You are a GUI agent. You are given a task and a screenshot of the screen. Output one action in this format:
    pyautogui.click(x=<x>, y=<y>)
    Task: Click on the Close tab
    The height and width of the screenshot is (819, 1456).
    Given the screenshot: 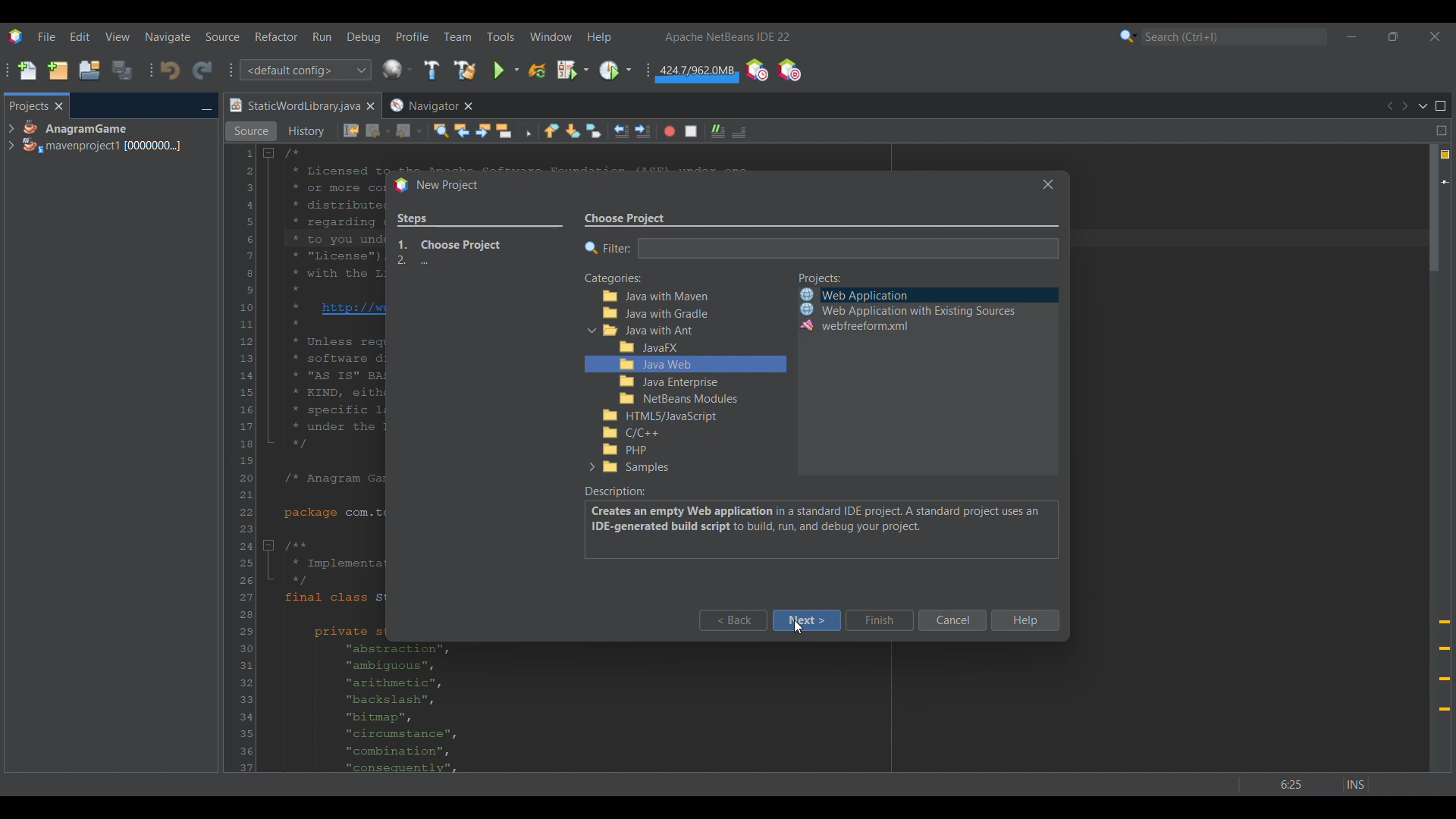 What is the action you would take?
    pyautogui.click(x=59, y=106)
    